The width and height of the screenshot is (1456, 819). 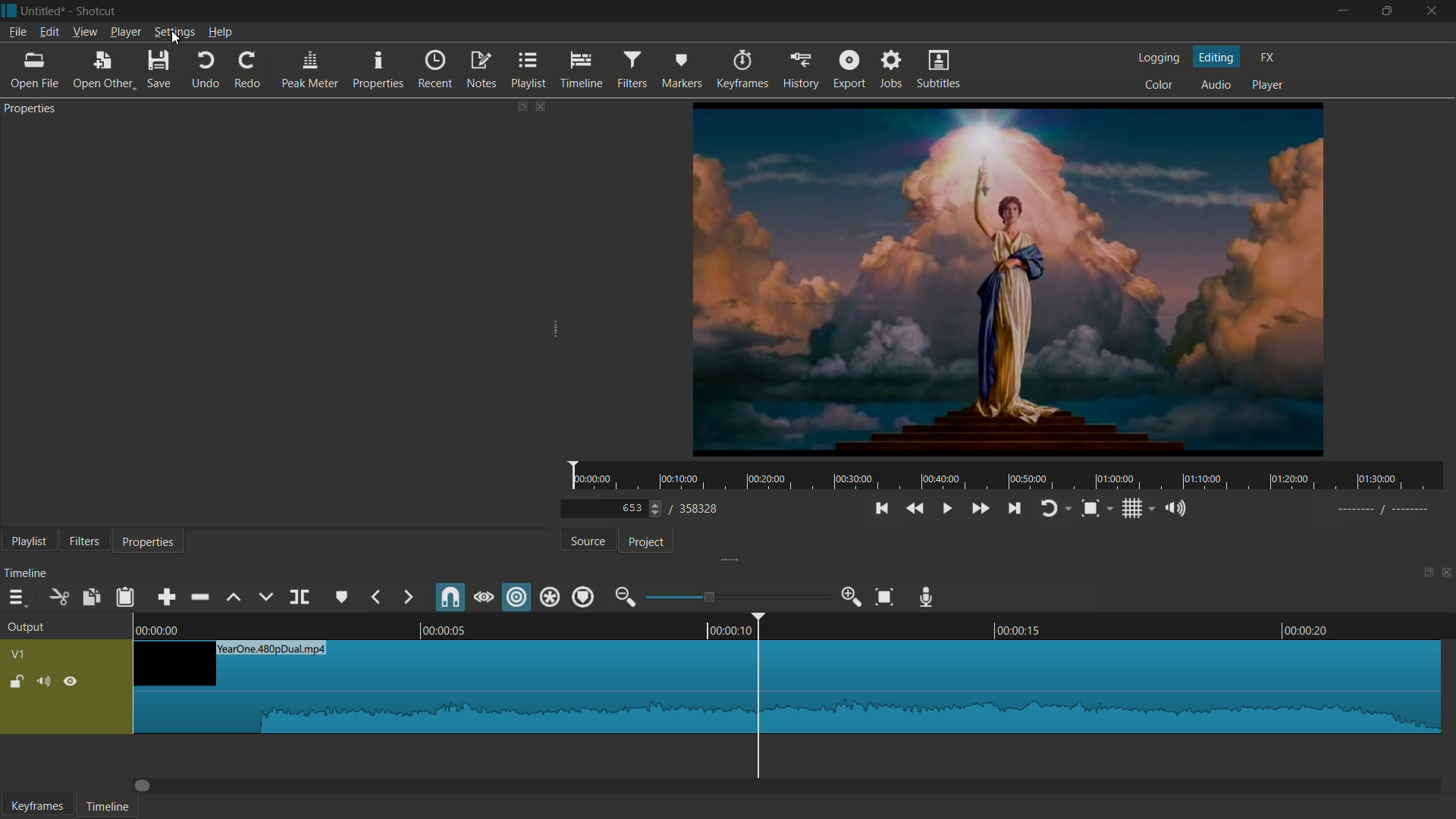 What do you see at coordinates (39, 807) in the screenshot?
I see `keyframes` at bounding box center [39, 807].